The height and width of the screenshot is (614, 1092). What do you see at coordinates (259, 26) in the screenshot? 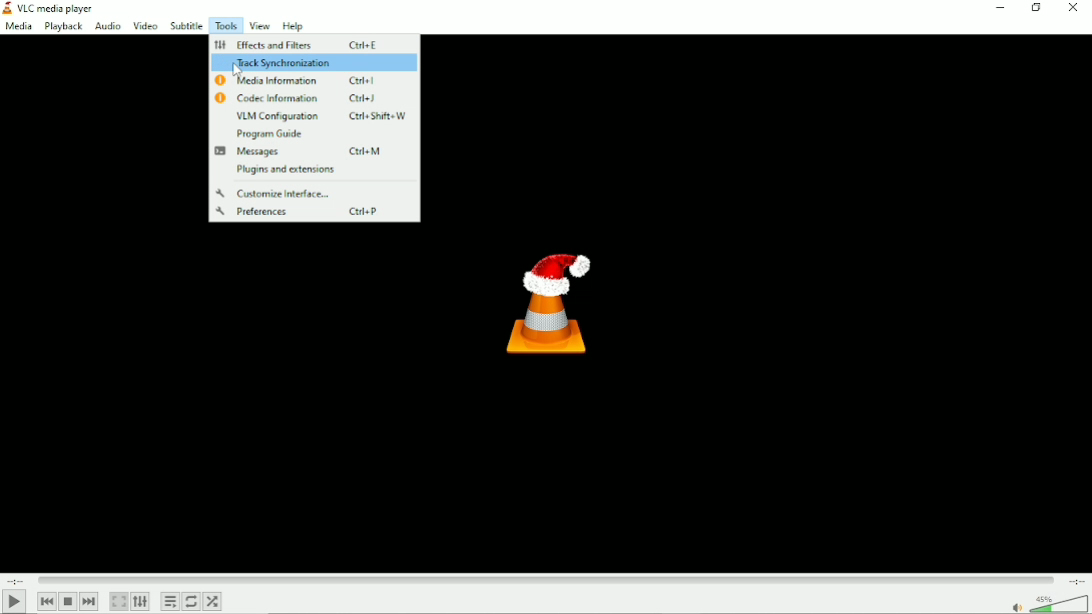
I see `View` at bounding box center [259, 26].